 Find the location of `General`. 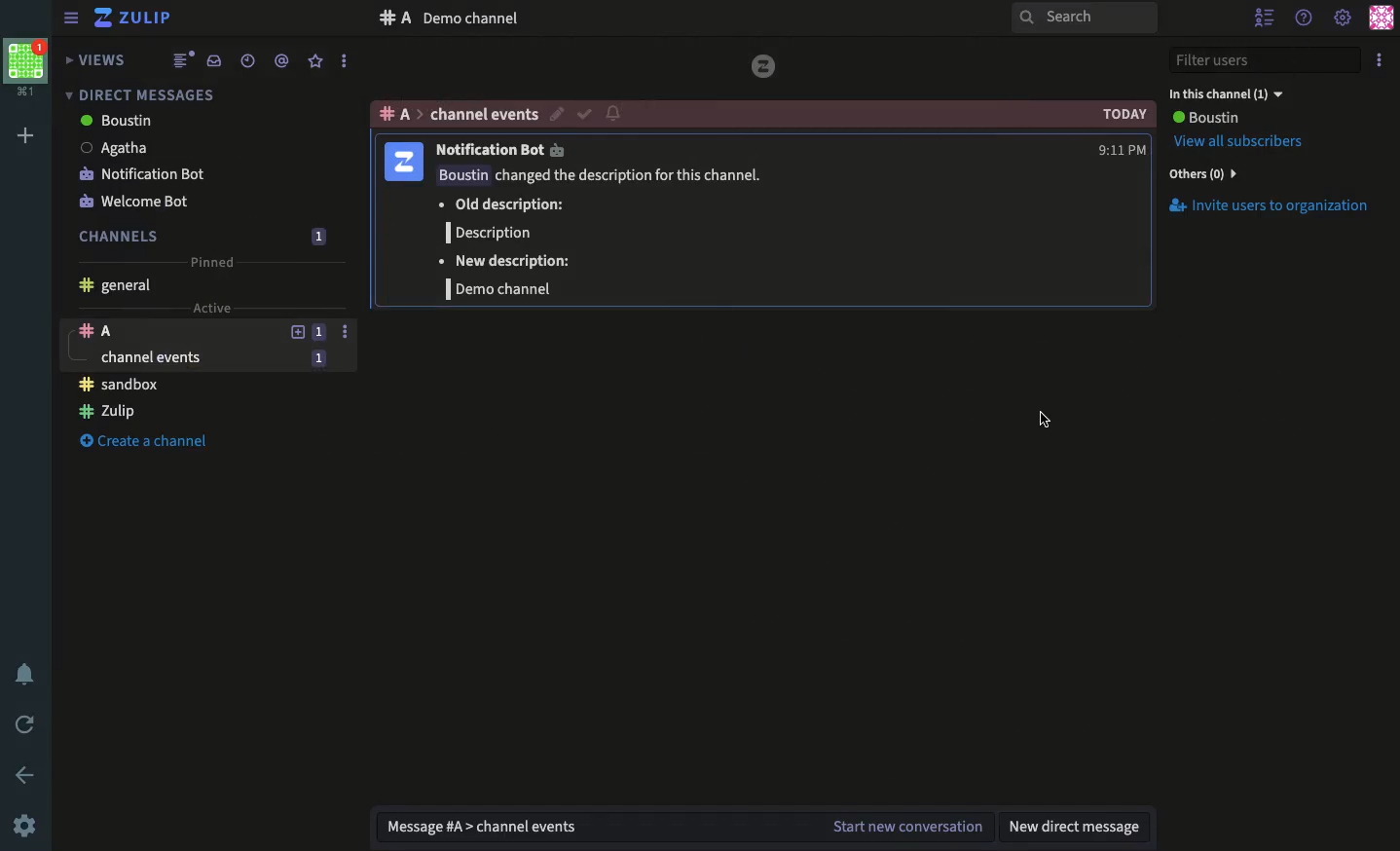

General is located at coordinates (123, 285).